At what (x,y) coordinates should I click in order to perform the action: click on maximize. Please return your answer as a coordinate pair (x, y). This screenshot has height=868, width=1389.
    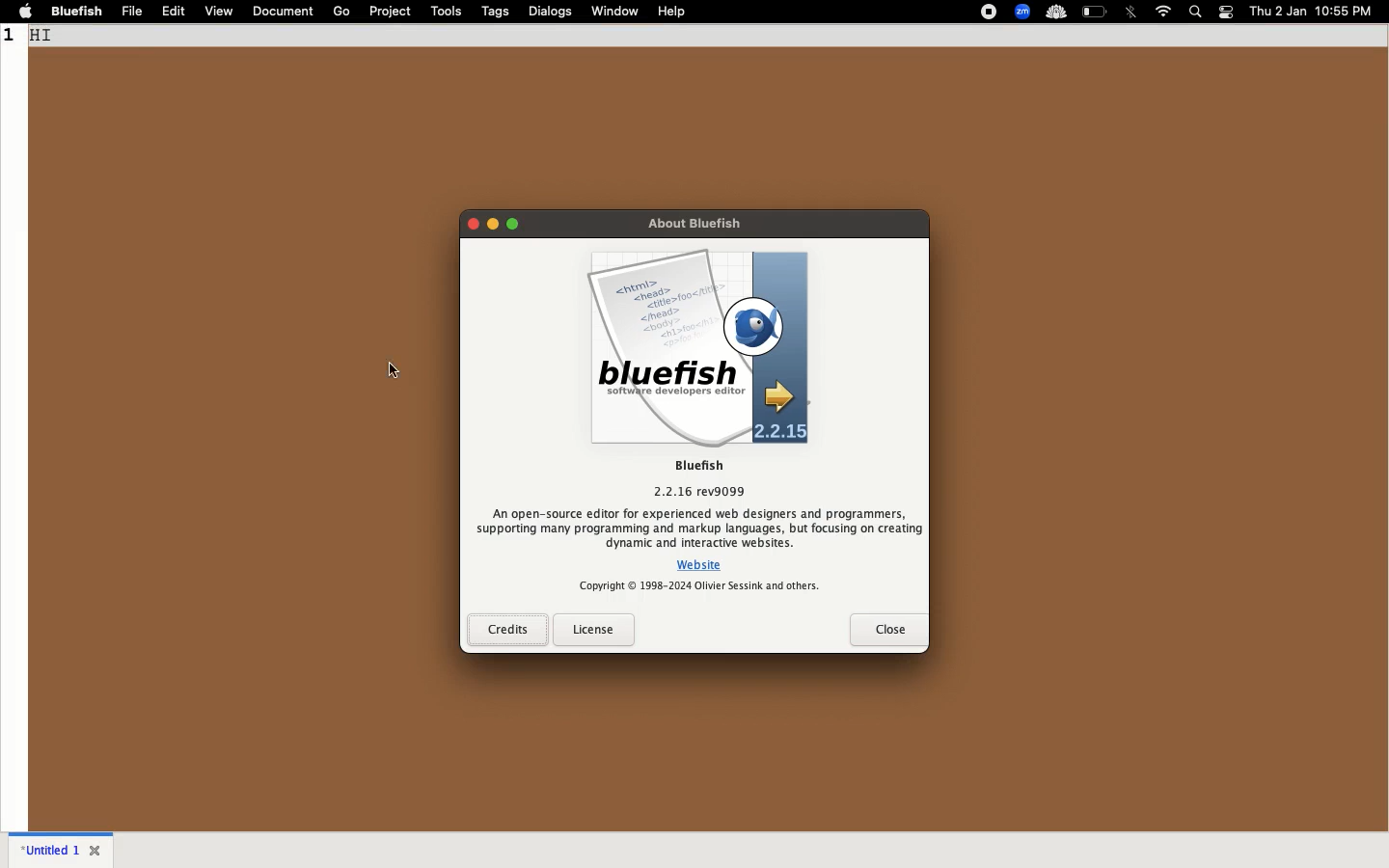
    Looking at the image, I should click on (512, 224).